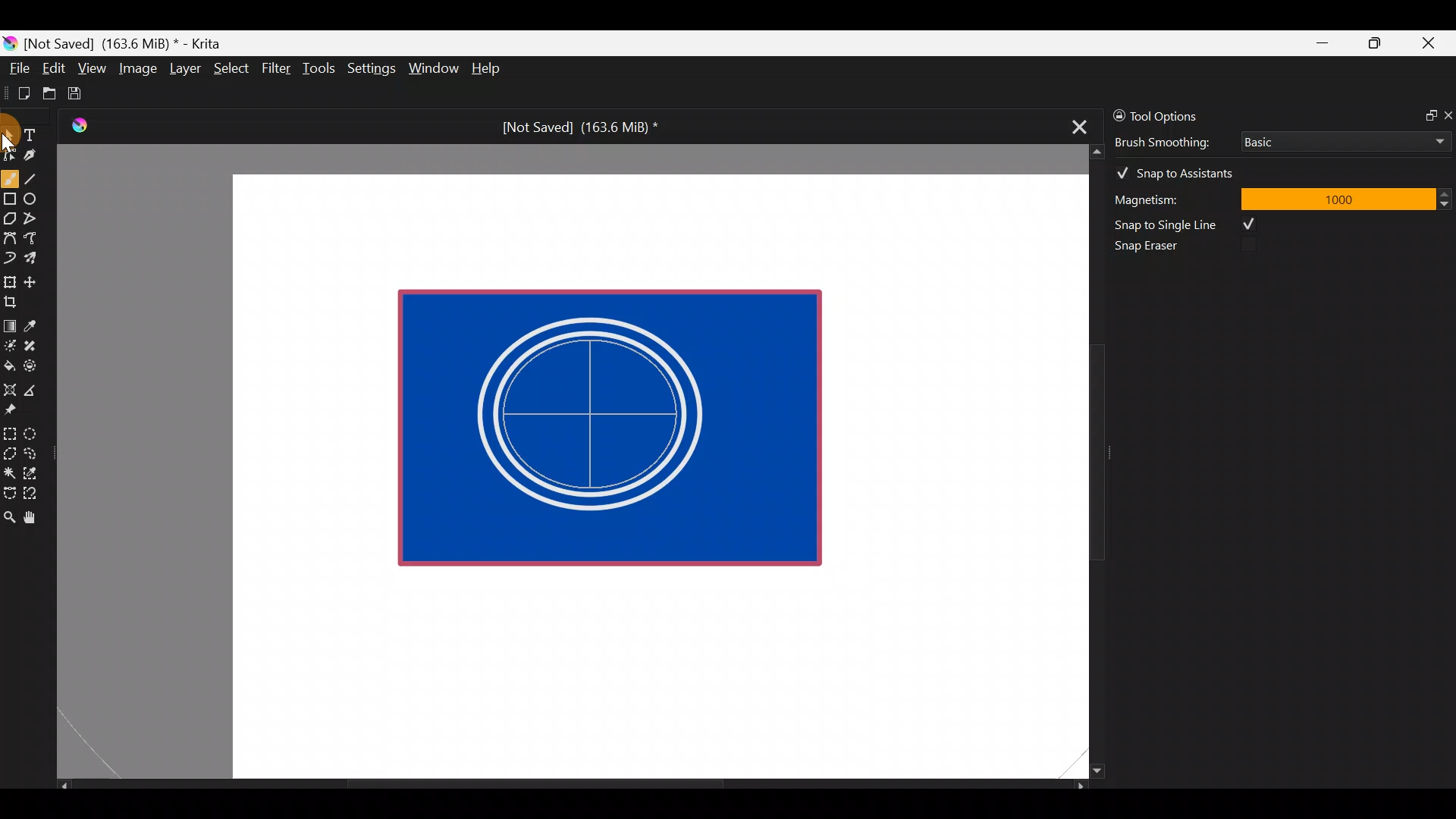 This screenshot has height=819, width=1456. What do you see at coordinates (373, 71) in the screenshot?
I see `Settings` at bounding box center [373, 71].